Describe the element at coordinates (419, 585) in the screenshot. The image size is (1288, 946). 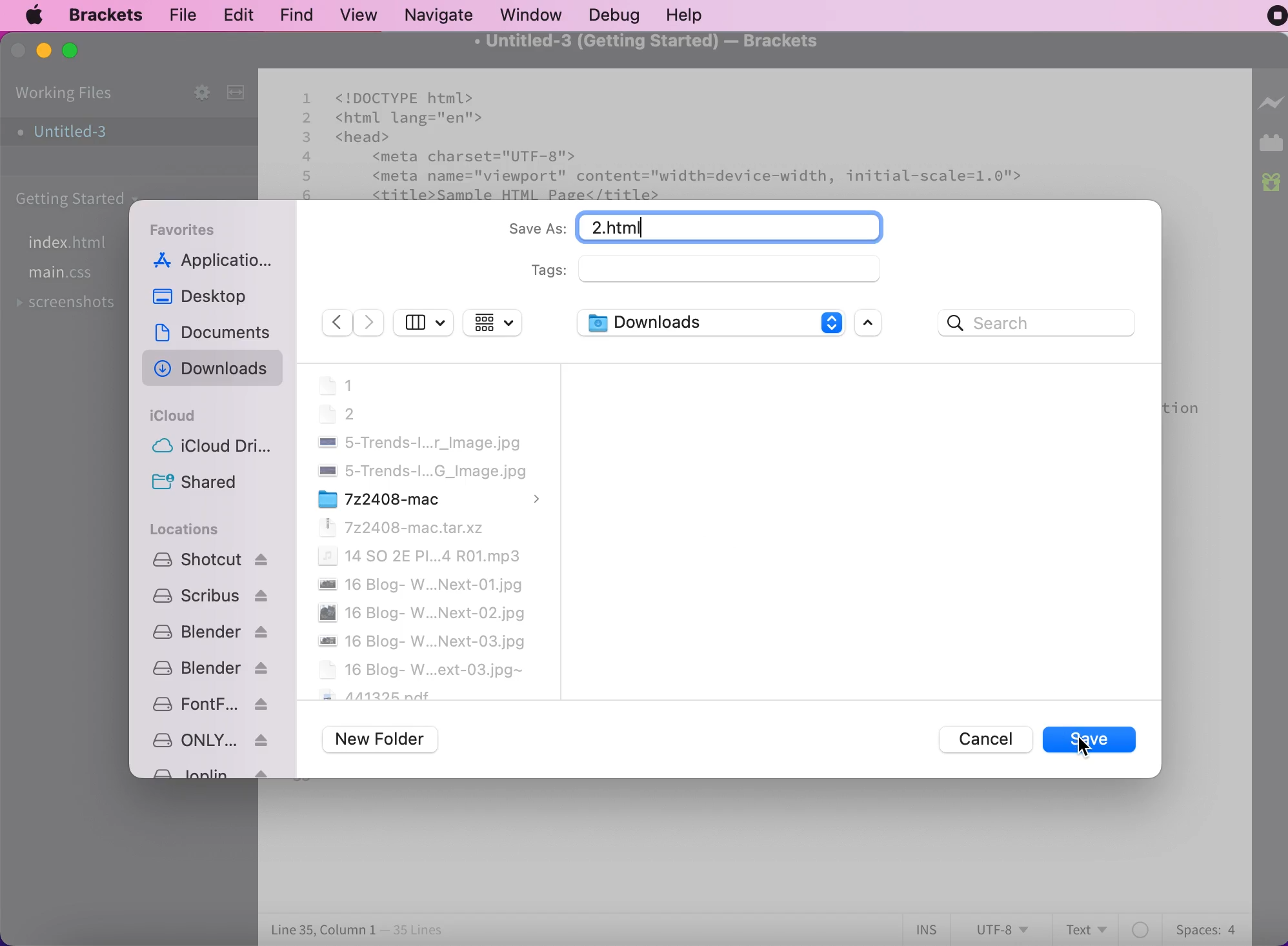
I see `16 Blog- W...Next-01.jpg` at that location.